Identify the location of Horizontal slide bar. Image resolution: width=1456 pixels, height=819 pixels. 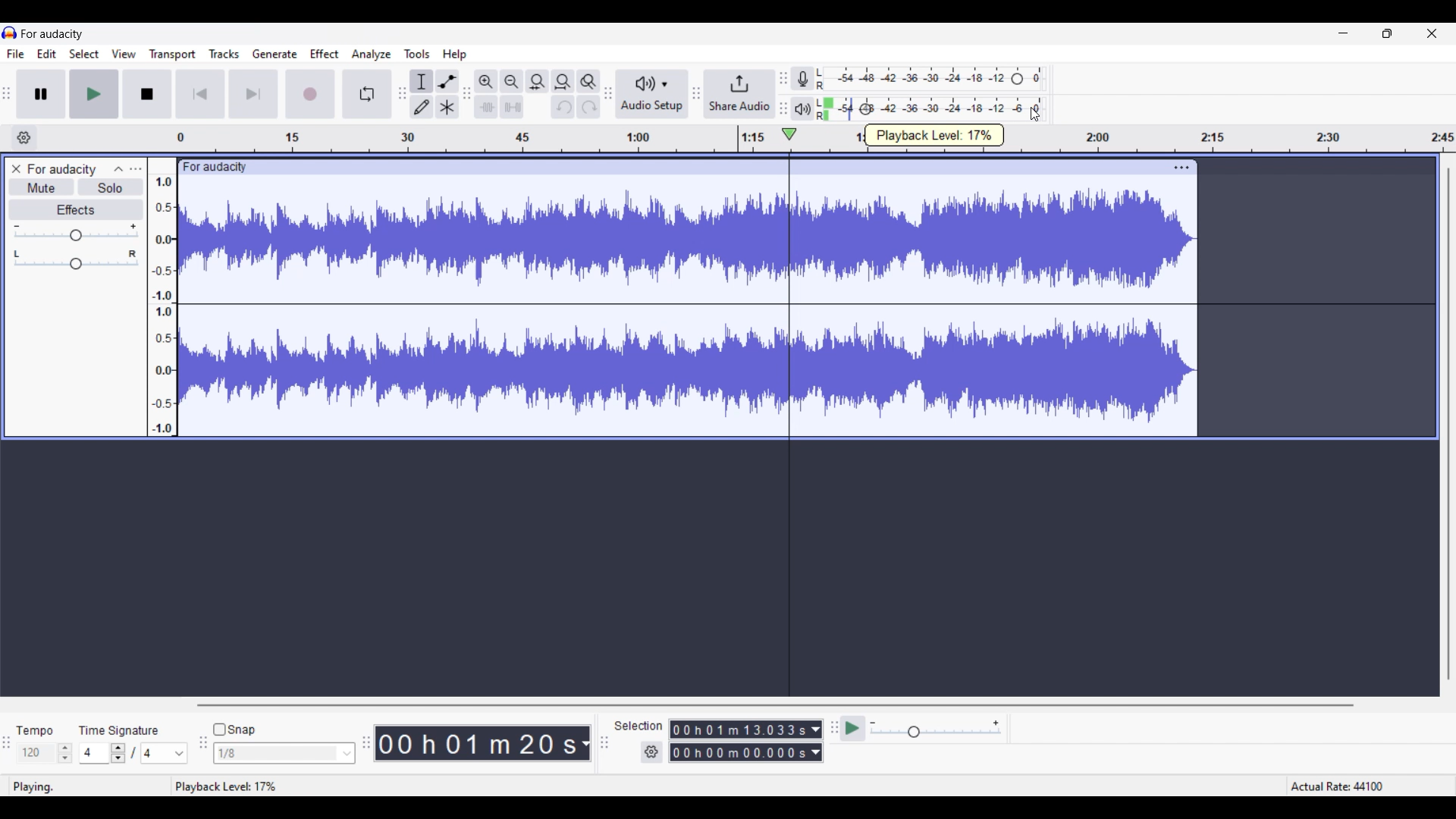
(774, 704).